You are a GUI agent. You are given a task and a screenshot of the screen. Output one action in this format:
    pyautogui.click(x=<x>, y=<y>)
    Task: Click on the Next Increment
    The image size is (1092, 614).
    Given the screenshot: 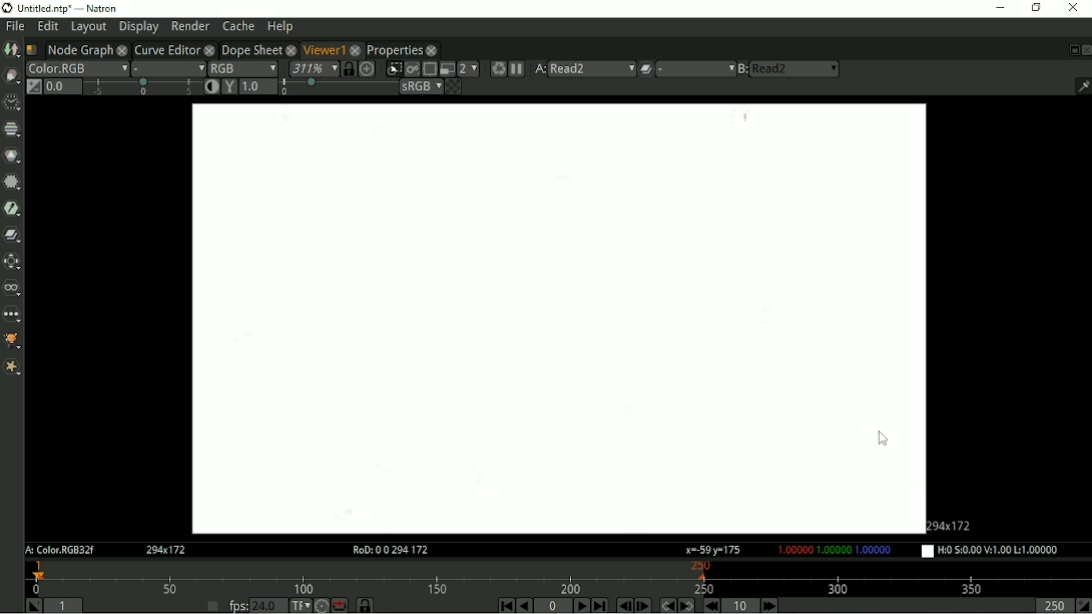 What is the action you would take?
    pyautogui.click(x=769, y=605)
    